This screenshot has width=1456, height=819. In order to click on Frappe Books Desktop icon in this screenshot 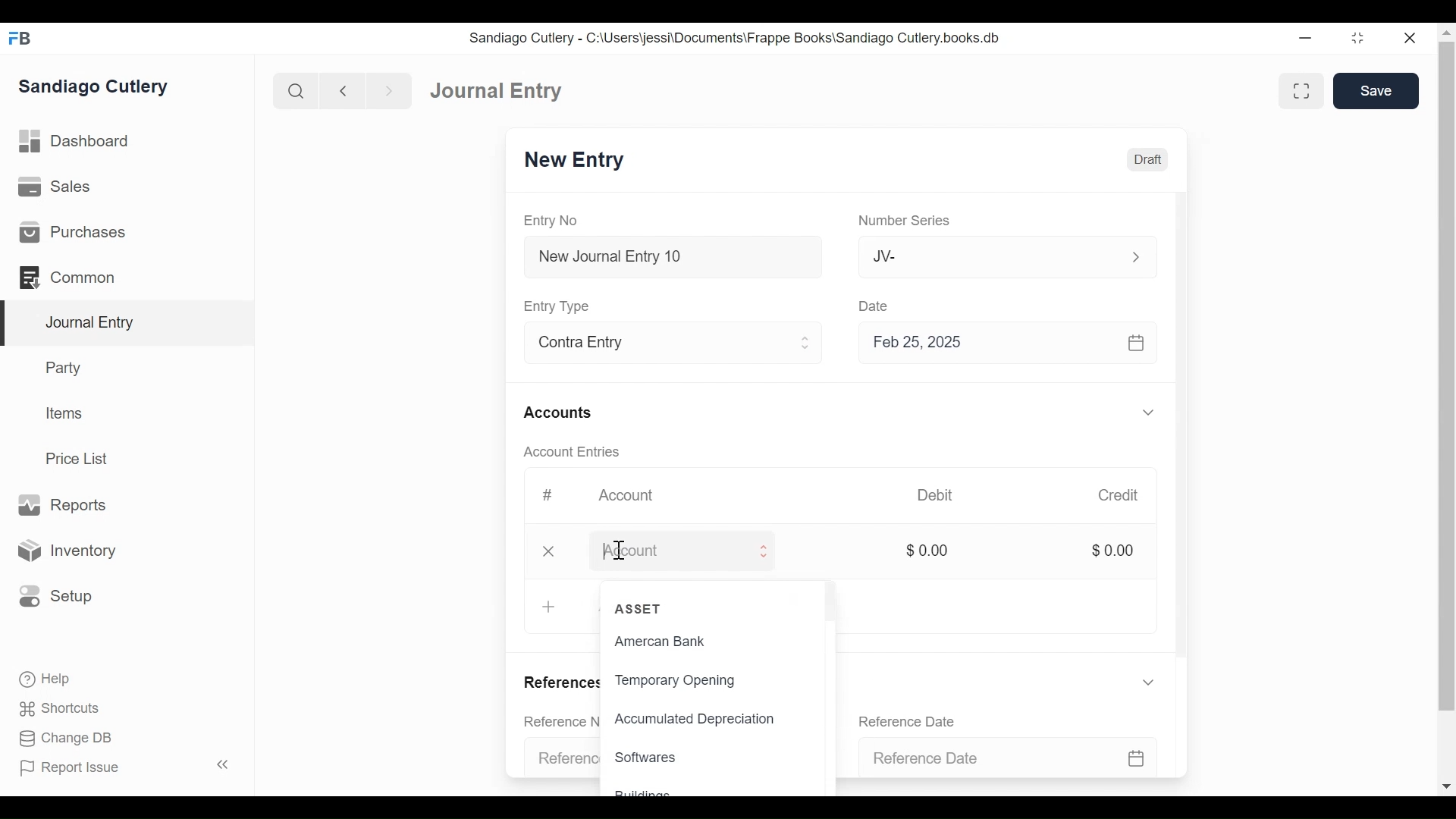, I will do `click(19, 38)`.